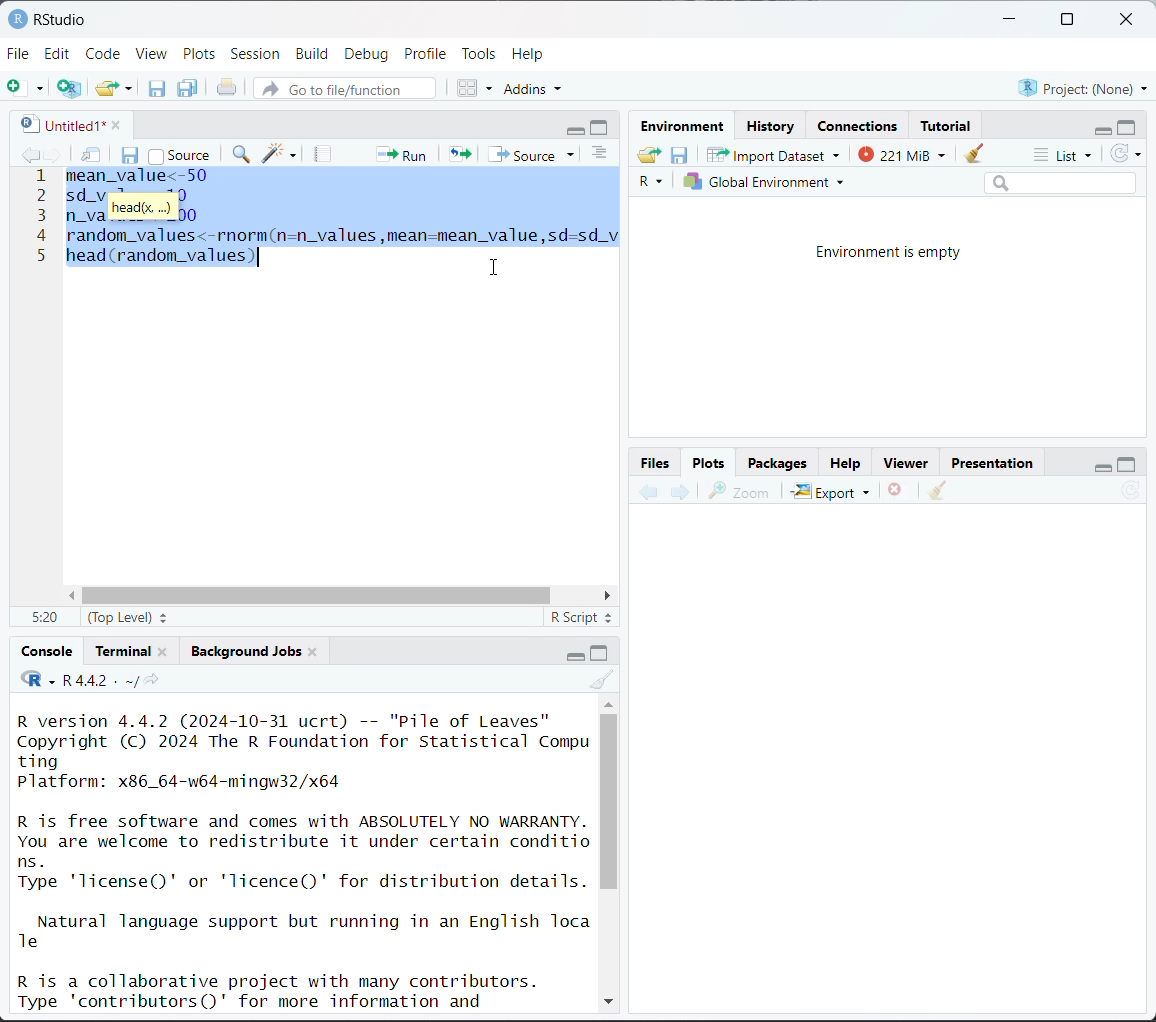 Image resolution: width=1156 pixels, height=1022 pixels. I want to click on view the current working directory, so click(151, 680).